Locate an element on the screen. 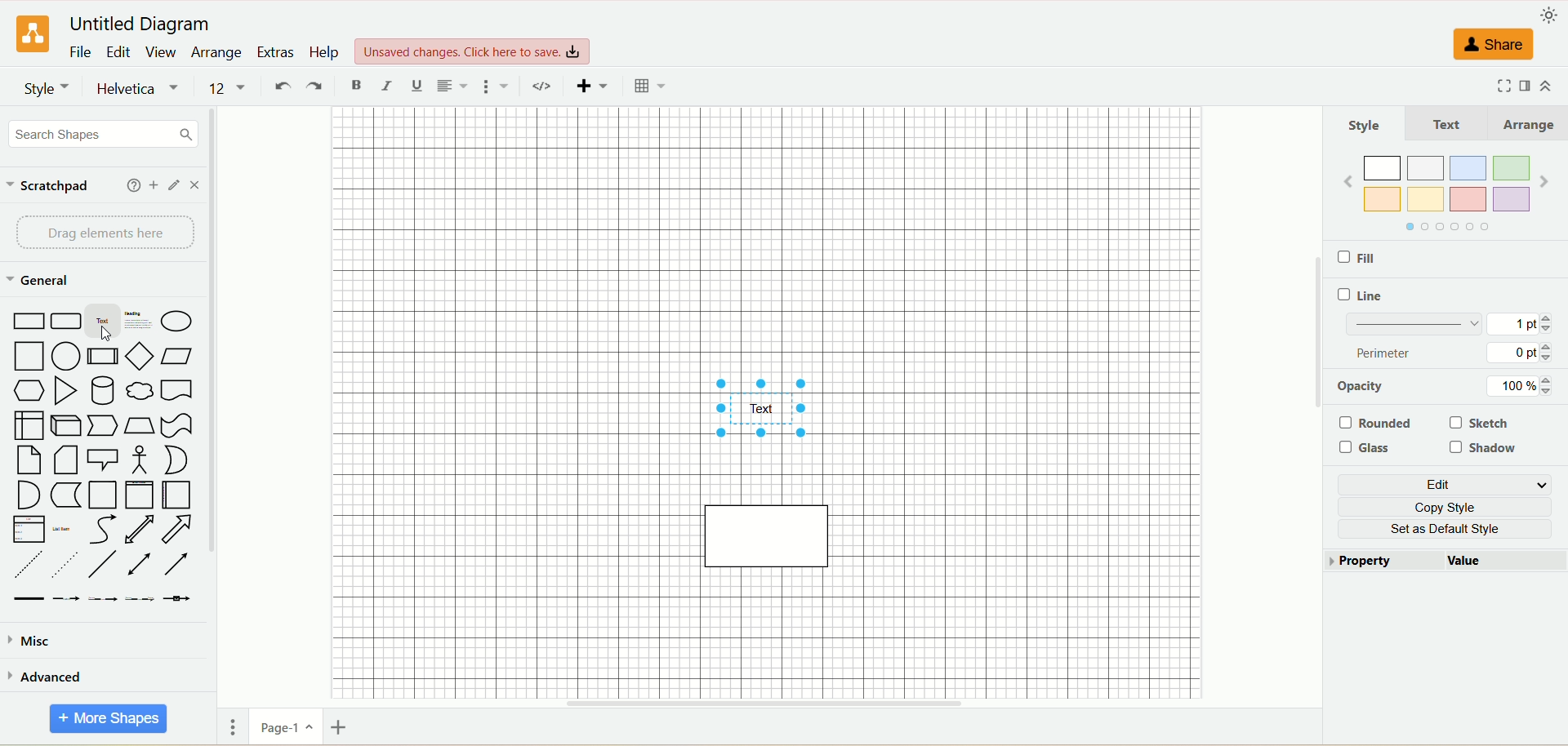 The width and height of the screenshot is (1568, 746). glass is located at coordinates (1369, 451).